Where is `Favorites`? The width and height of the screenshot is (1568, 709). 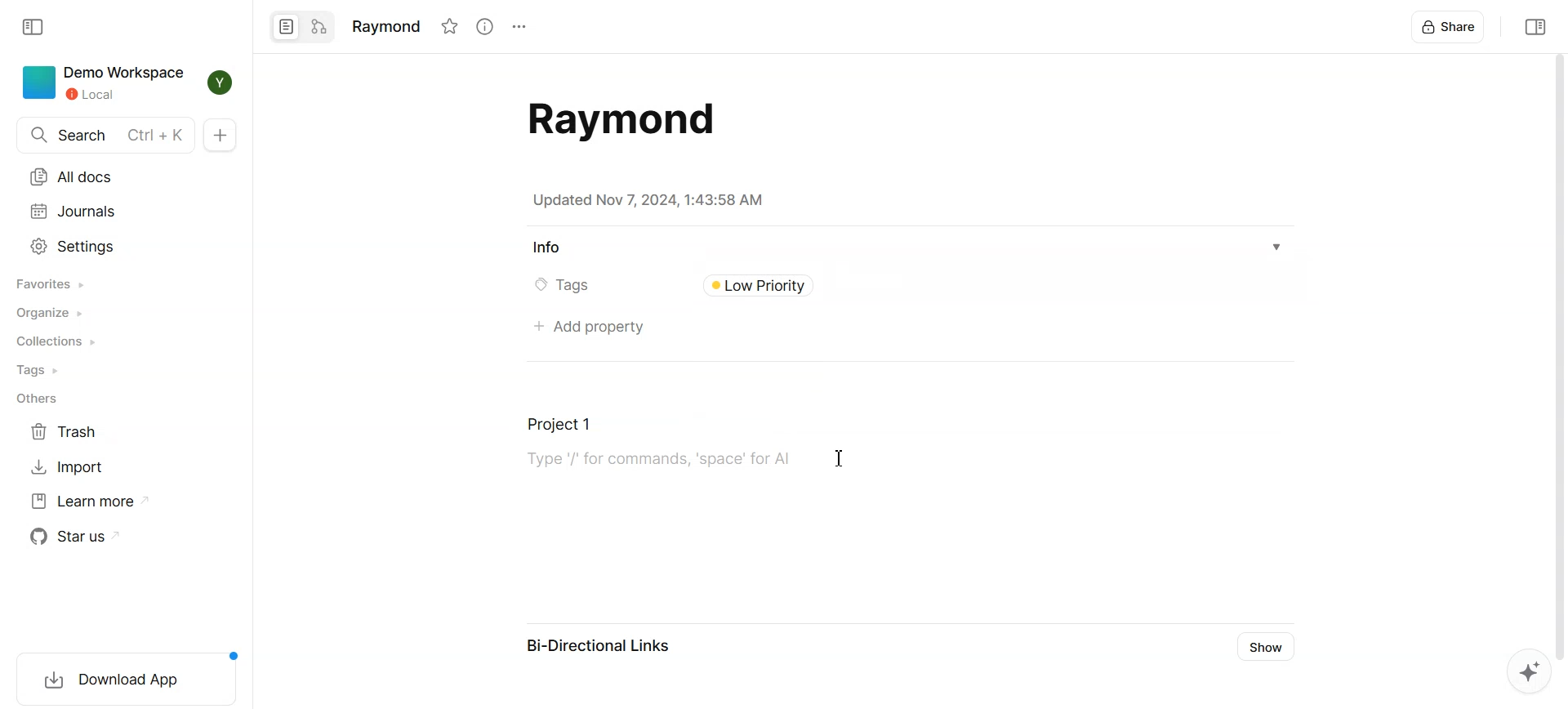
Favorites is located at coordinates (52, 283).